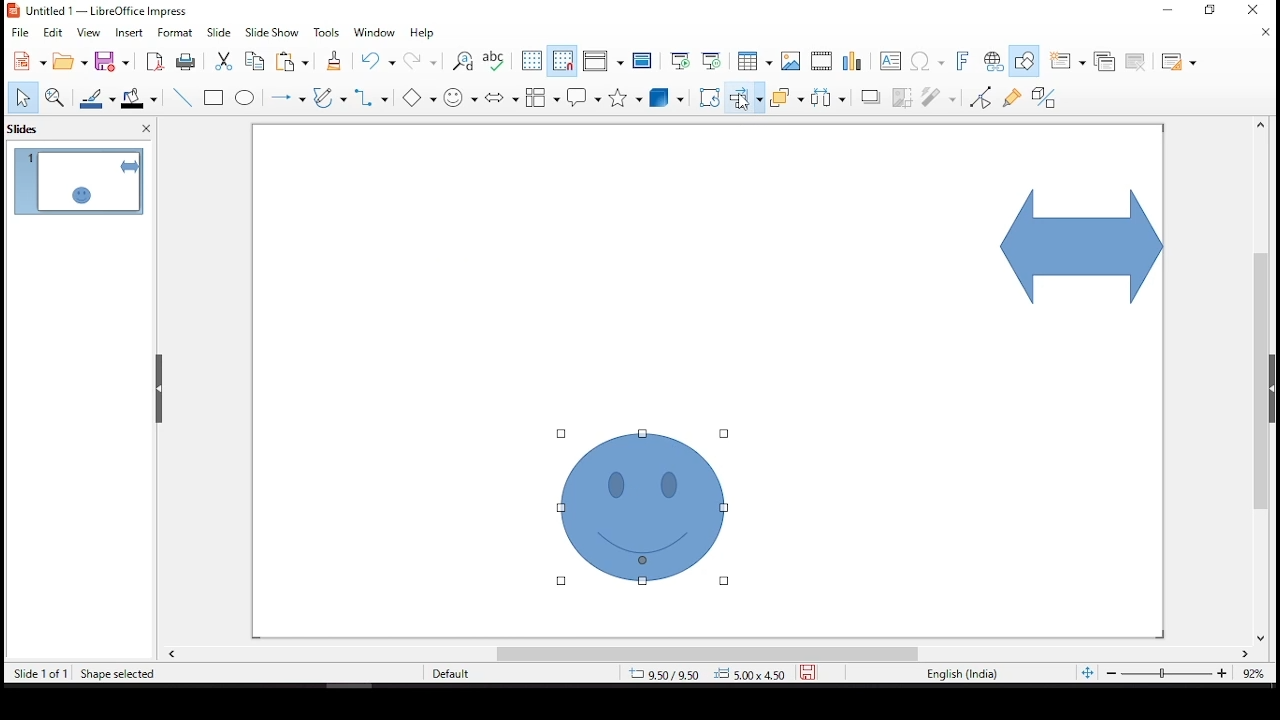 This screenshot has width=1280, height=720. I want to click on close pane, so click(148, 128).